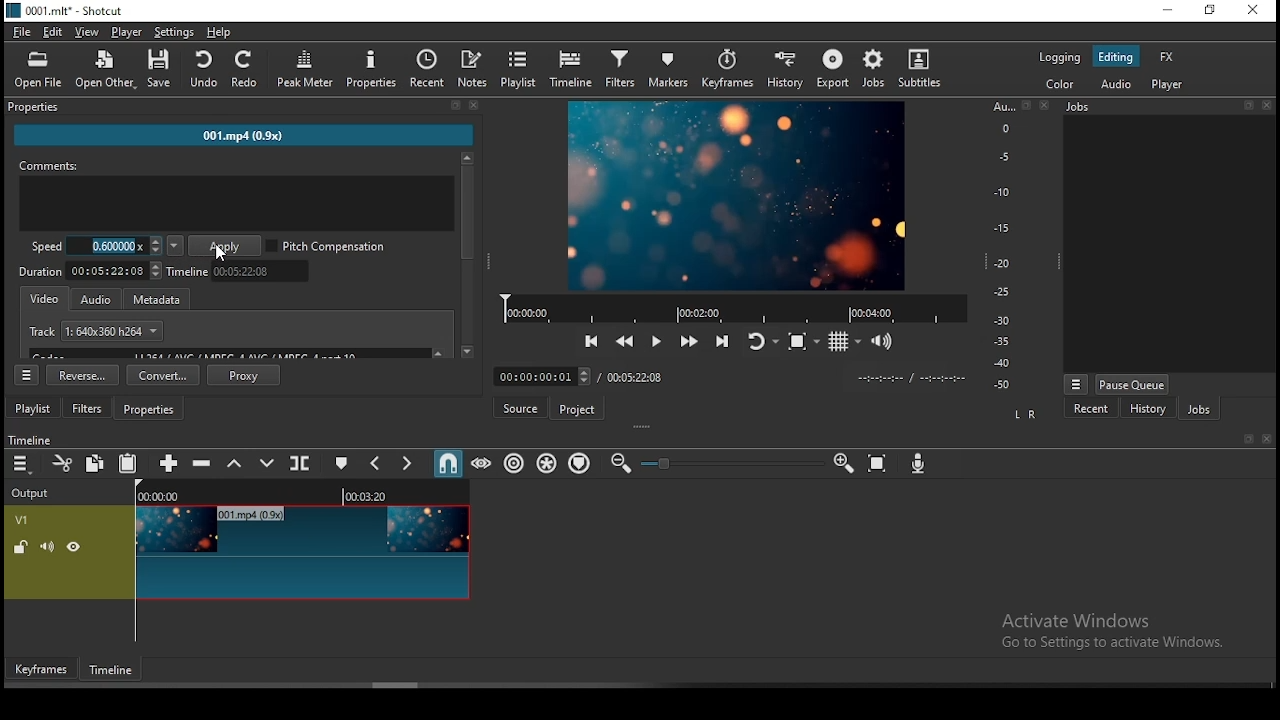 Image resolution: width=1280 pixels, height=720 pixels. Describe the element at coordinates (372, 69) in the screenshot. I see `properties` at that location.